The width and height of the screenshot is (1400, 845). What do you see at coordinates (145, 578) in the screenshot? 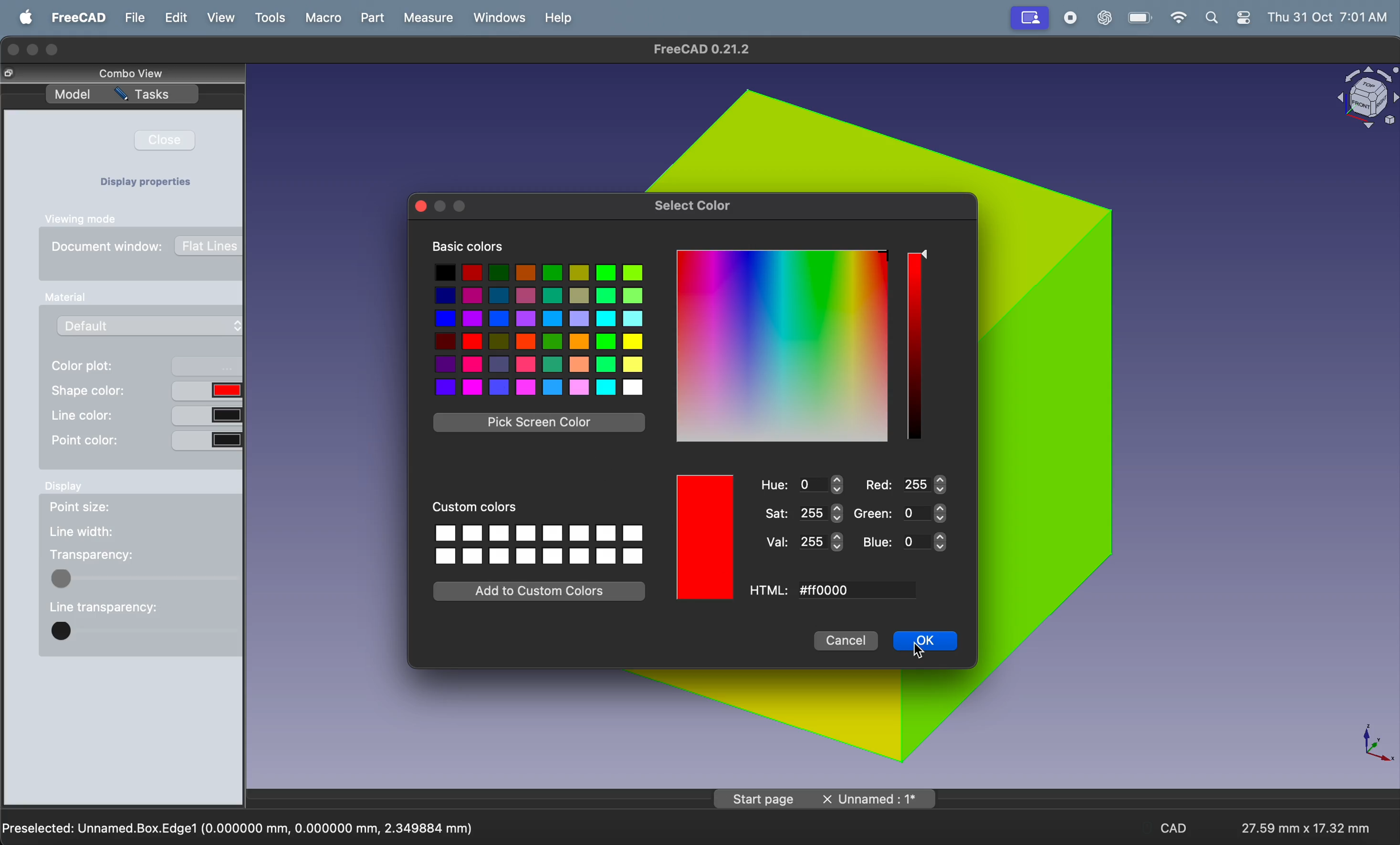
I see `toogle` at bounding box center [145, 578].